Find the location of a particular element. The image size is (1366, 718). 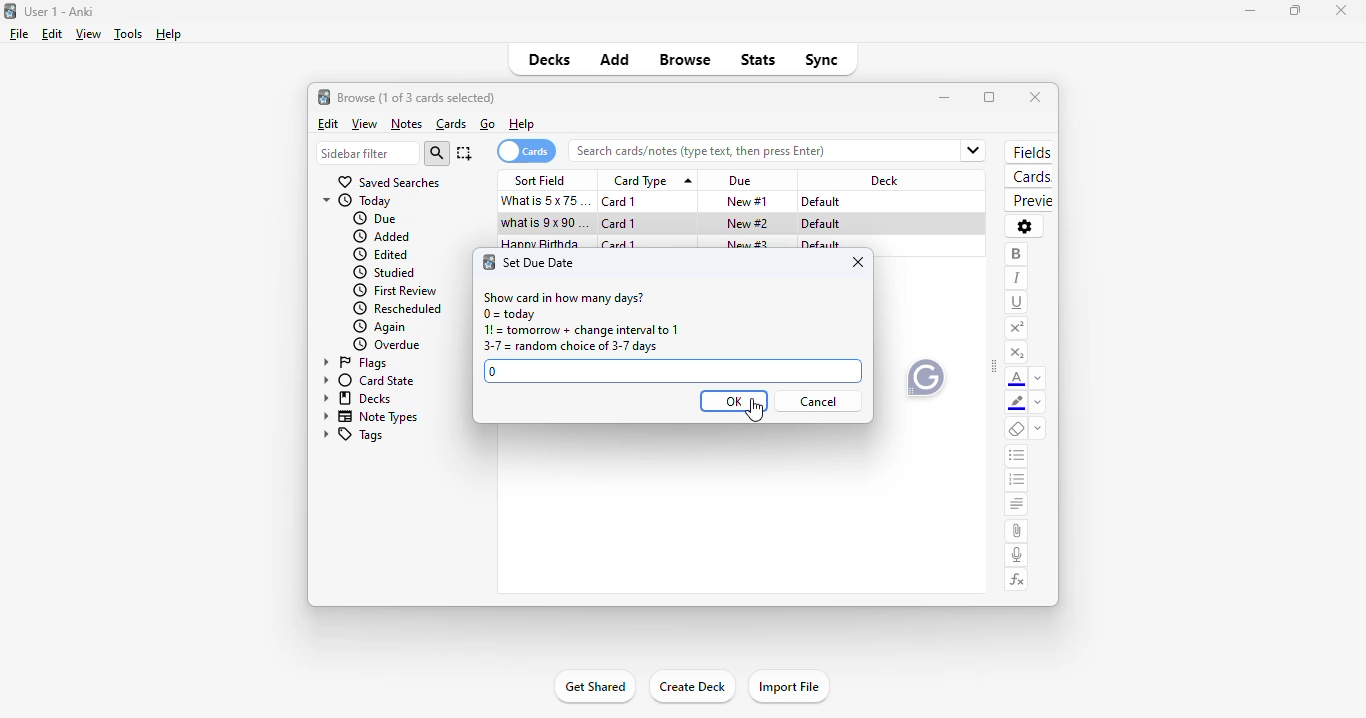

new #2 is located at coordinates (750, 223).